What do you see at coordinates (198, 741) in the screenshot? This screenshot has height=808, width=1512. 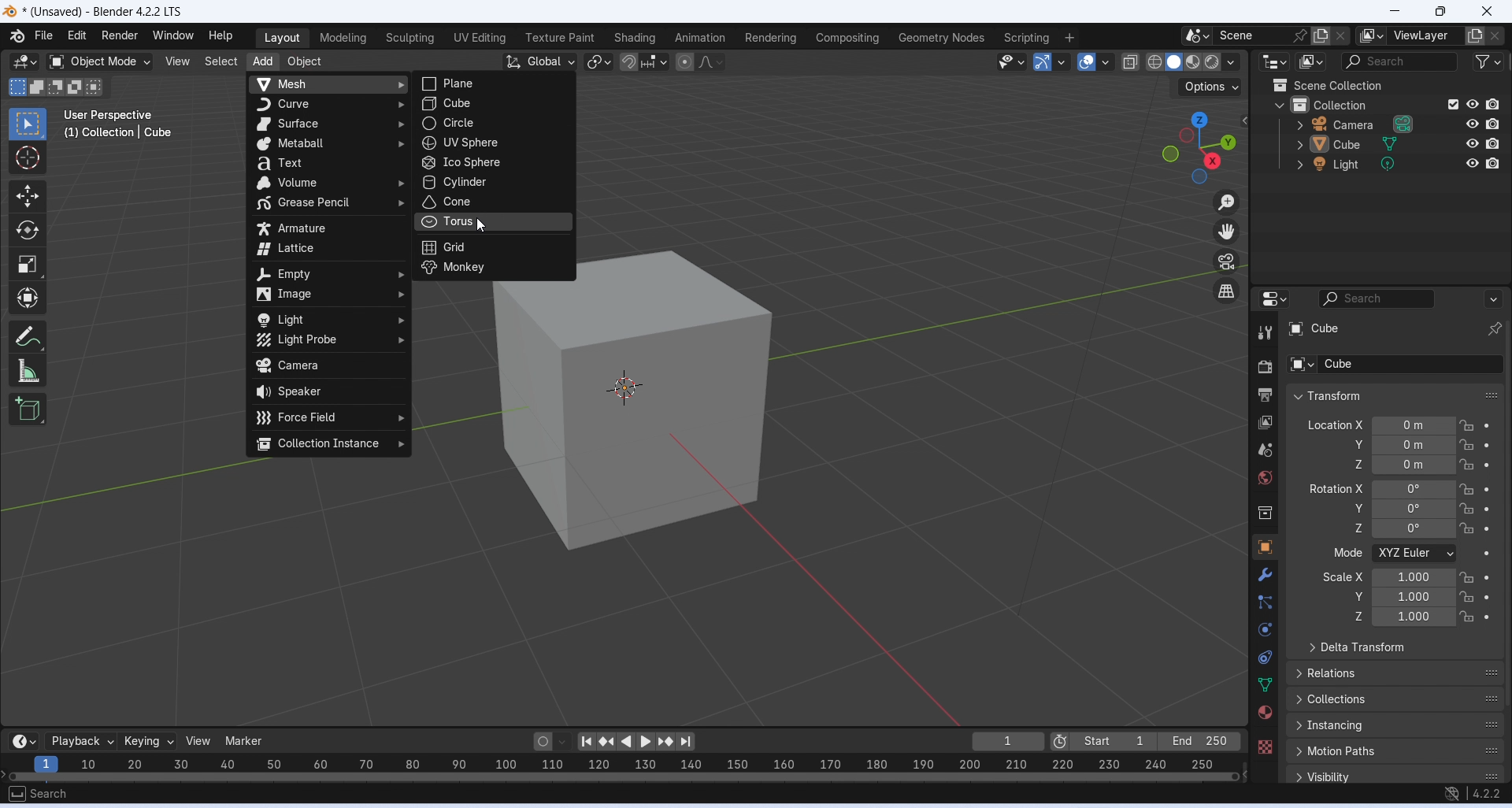 I see `View` at bounding box center [198, 741].